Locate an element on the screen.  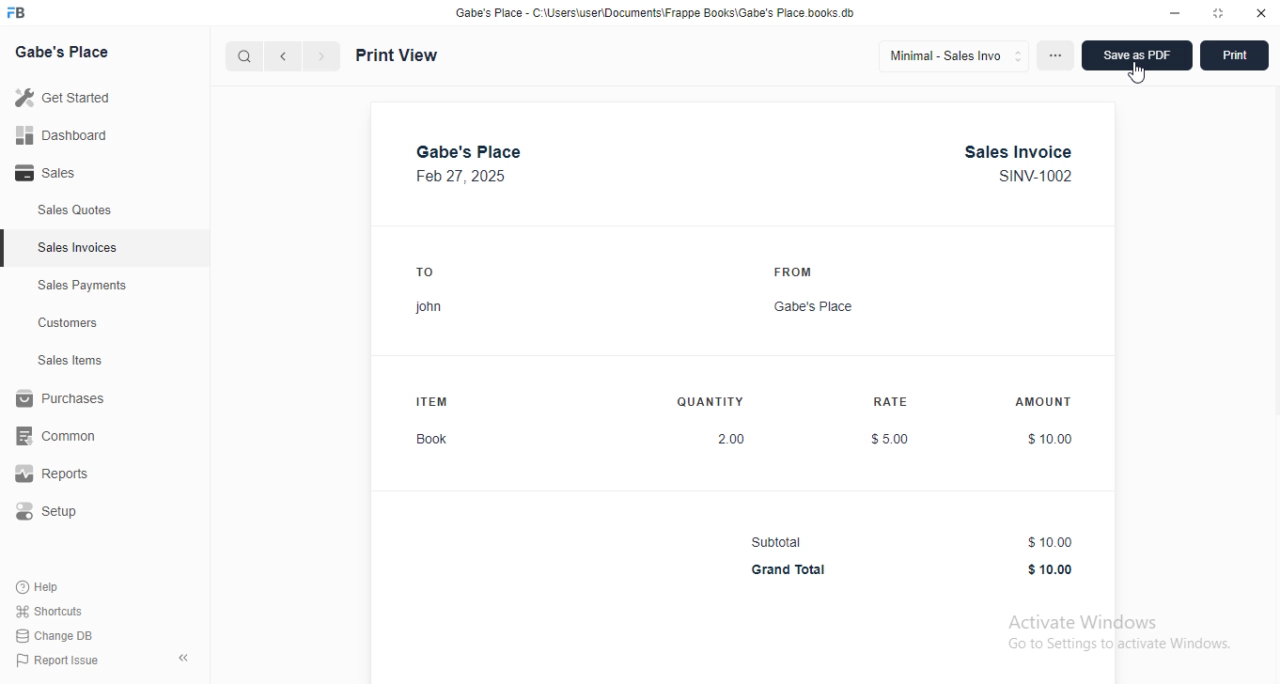
minimal - sales invo is located at coordinates (953, 56).